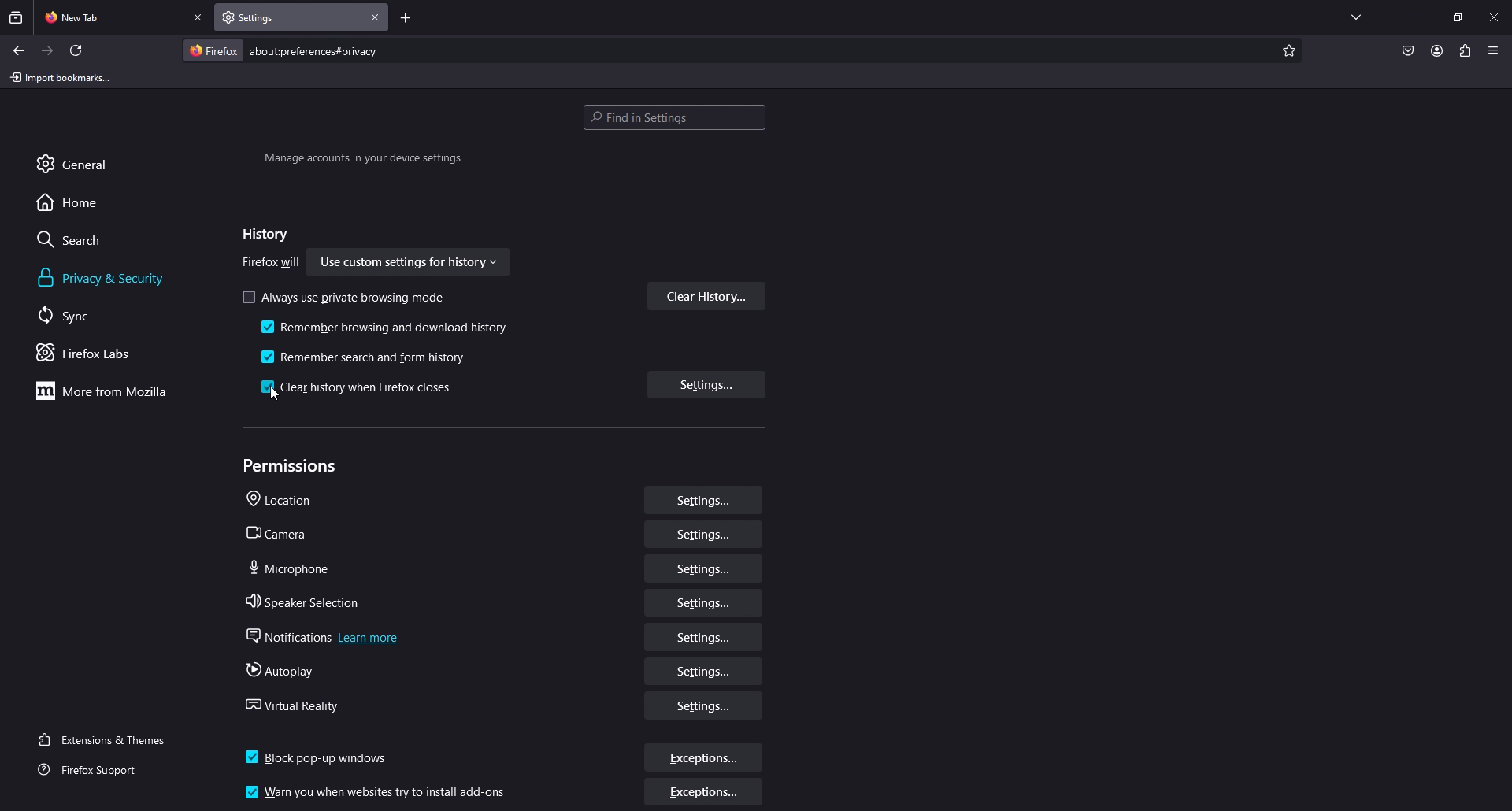 The image size is (1512, 811). I want to click on notifications, so click(319, 633).